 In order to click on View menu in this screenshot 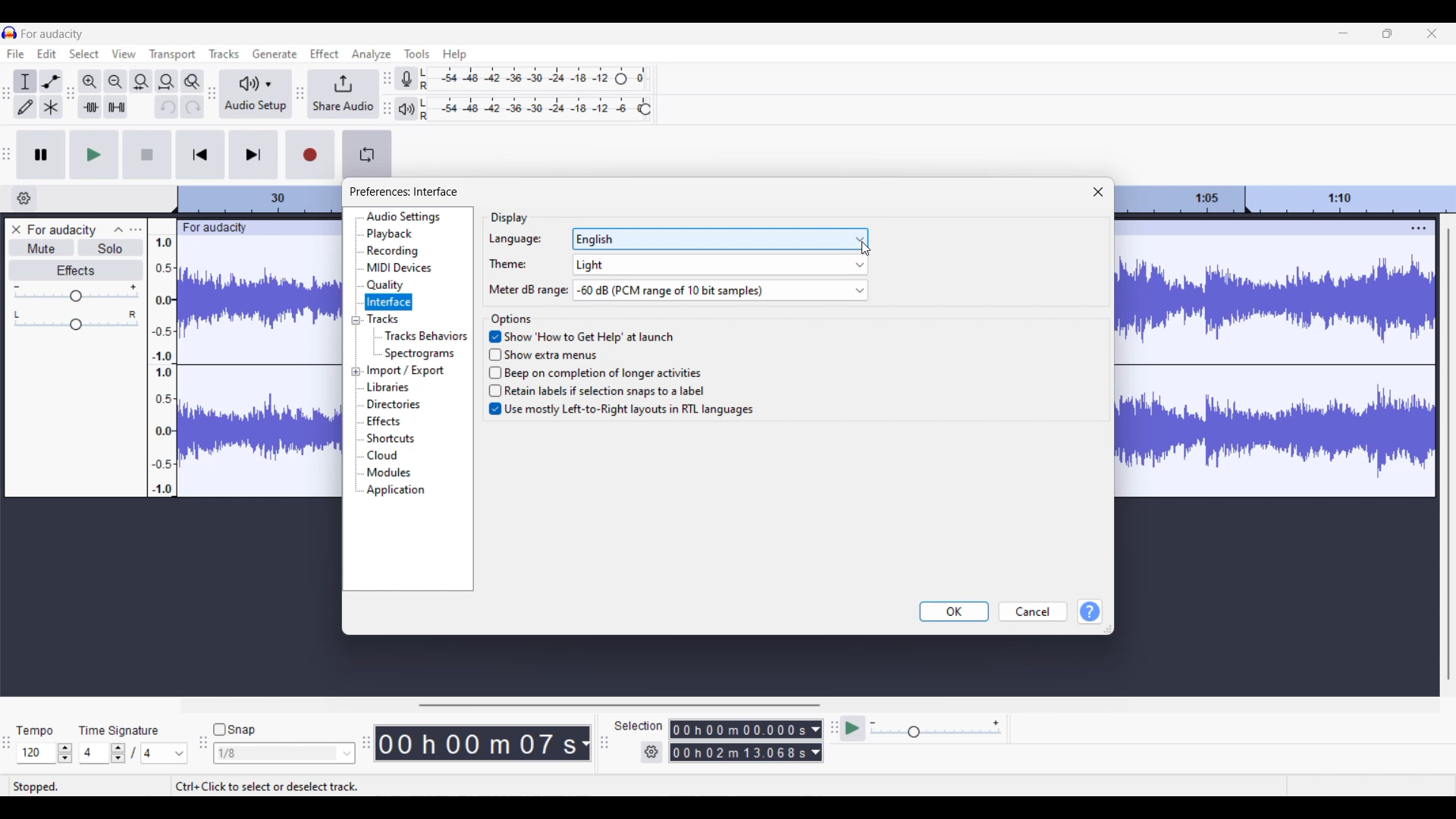, I will do `click(124, 53)`.